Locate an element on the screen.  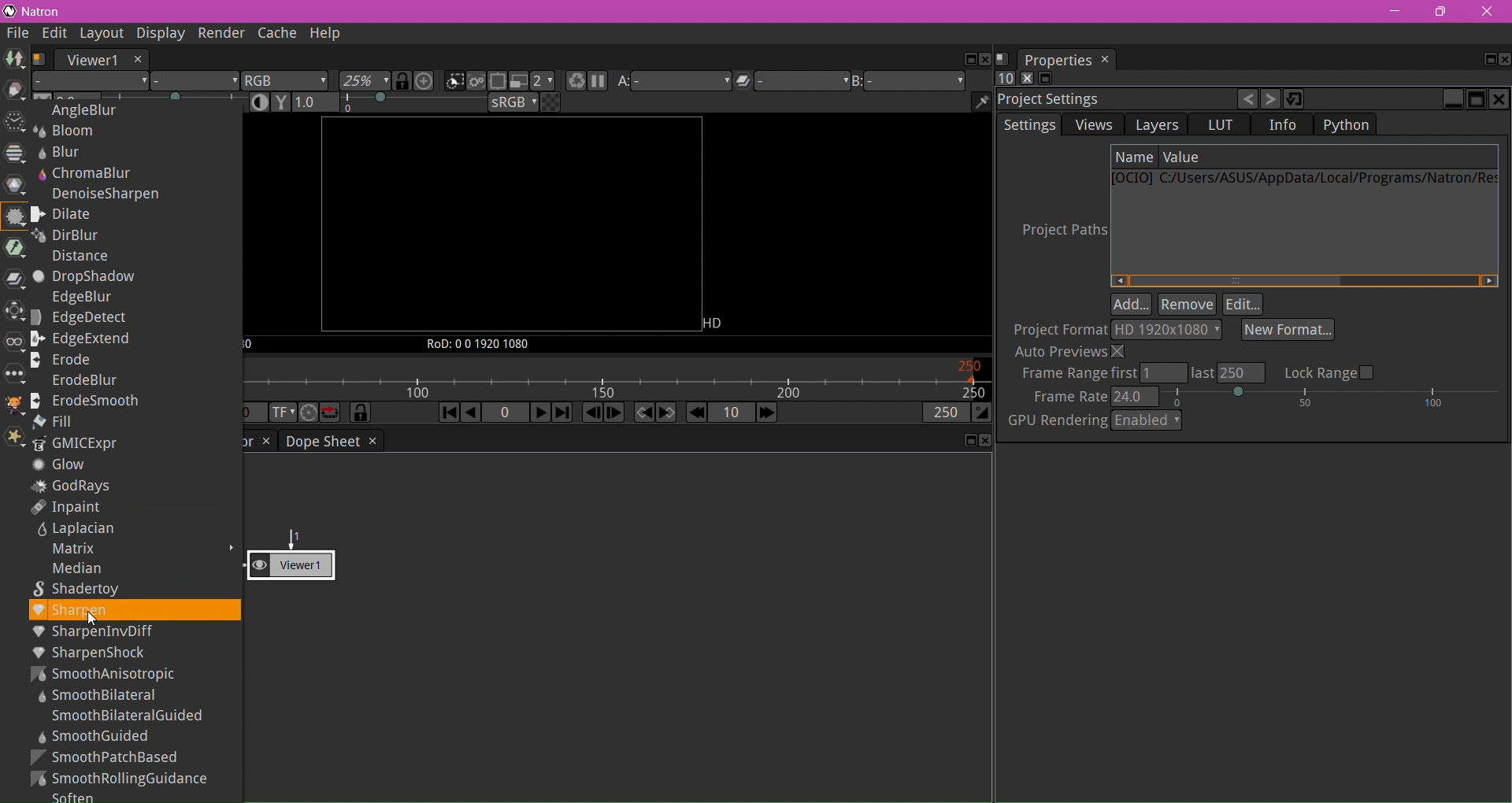
Color is located at coordinates (16, 185).